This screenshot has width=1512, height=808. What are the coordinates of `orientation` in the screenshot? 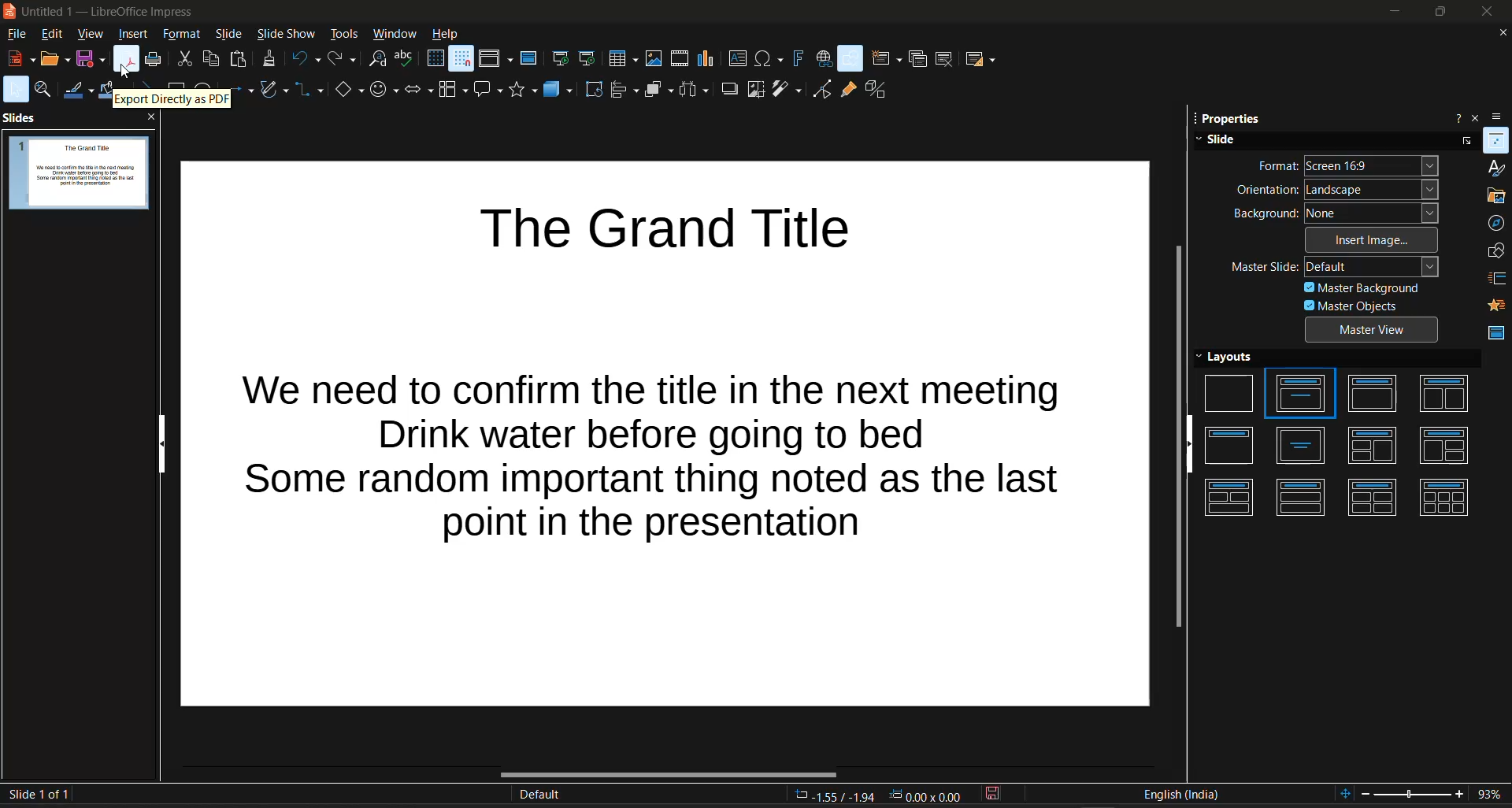 It's located at (1339, 191).